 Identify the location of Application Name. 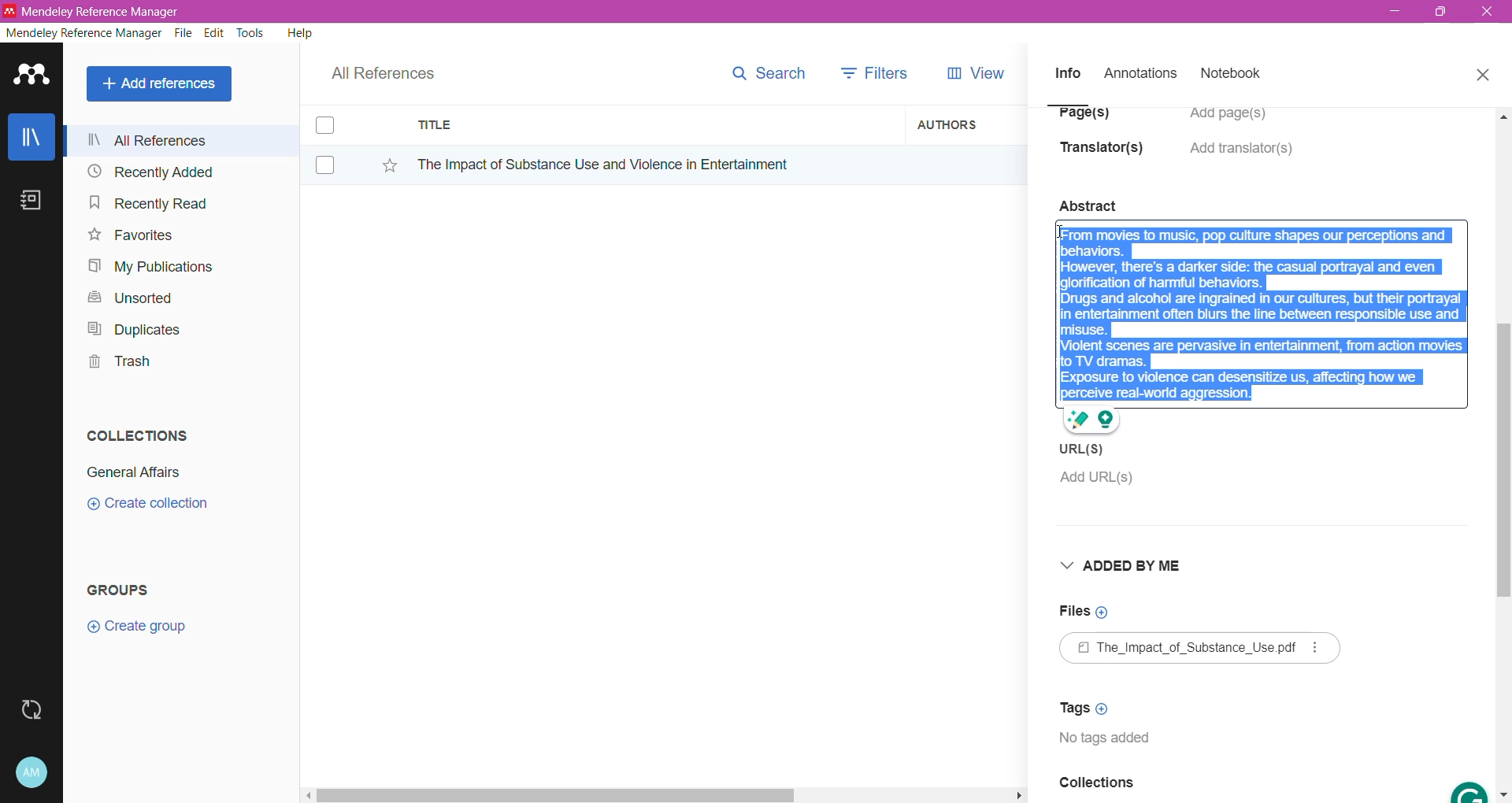
(94, 11).